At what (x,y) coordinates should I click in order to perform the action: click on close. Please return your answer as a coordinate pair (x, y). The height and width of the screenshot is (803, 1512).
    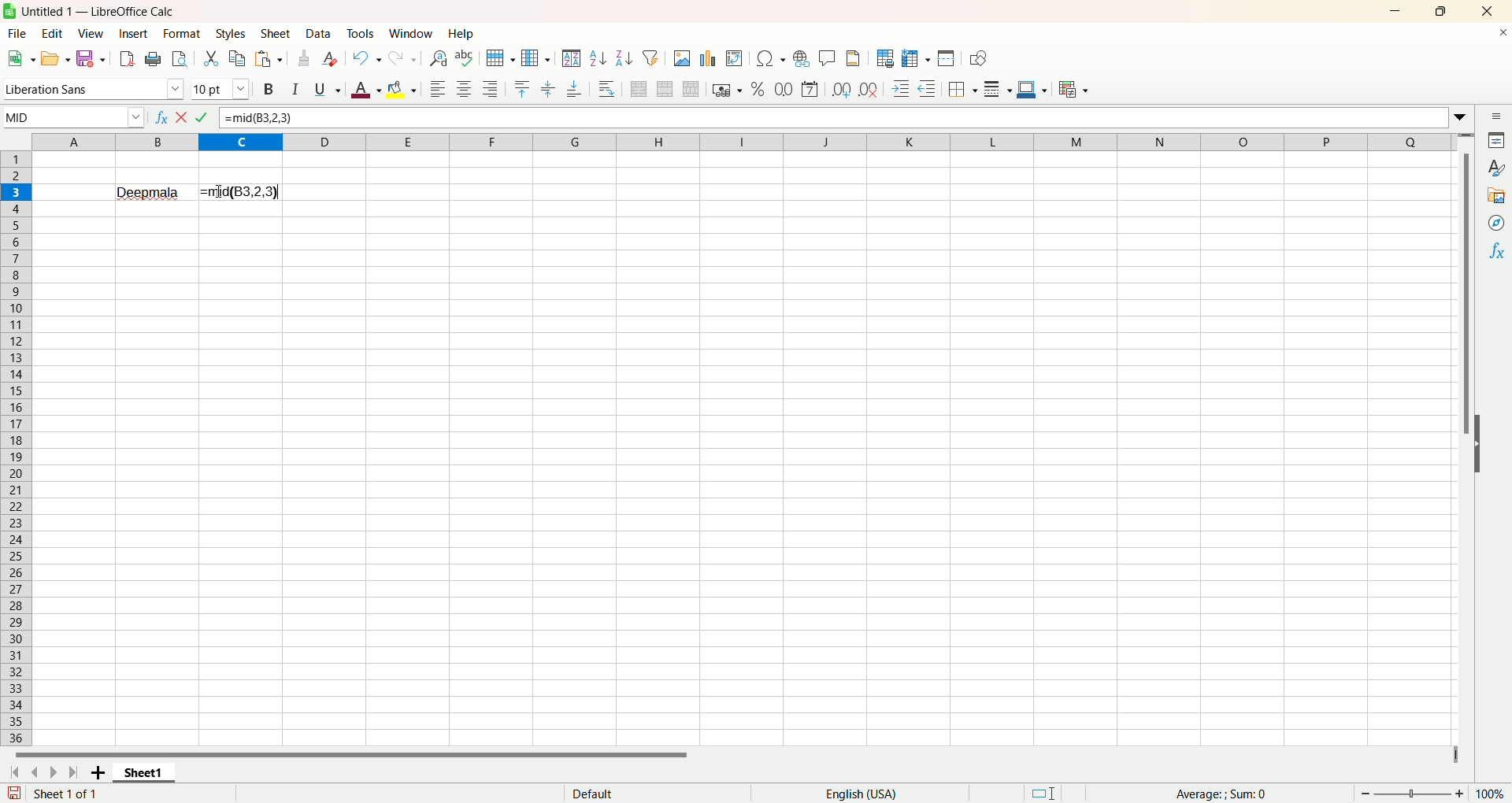
    Looking at the image, I should click on (1485, 11).